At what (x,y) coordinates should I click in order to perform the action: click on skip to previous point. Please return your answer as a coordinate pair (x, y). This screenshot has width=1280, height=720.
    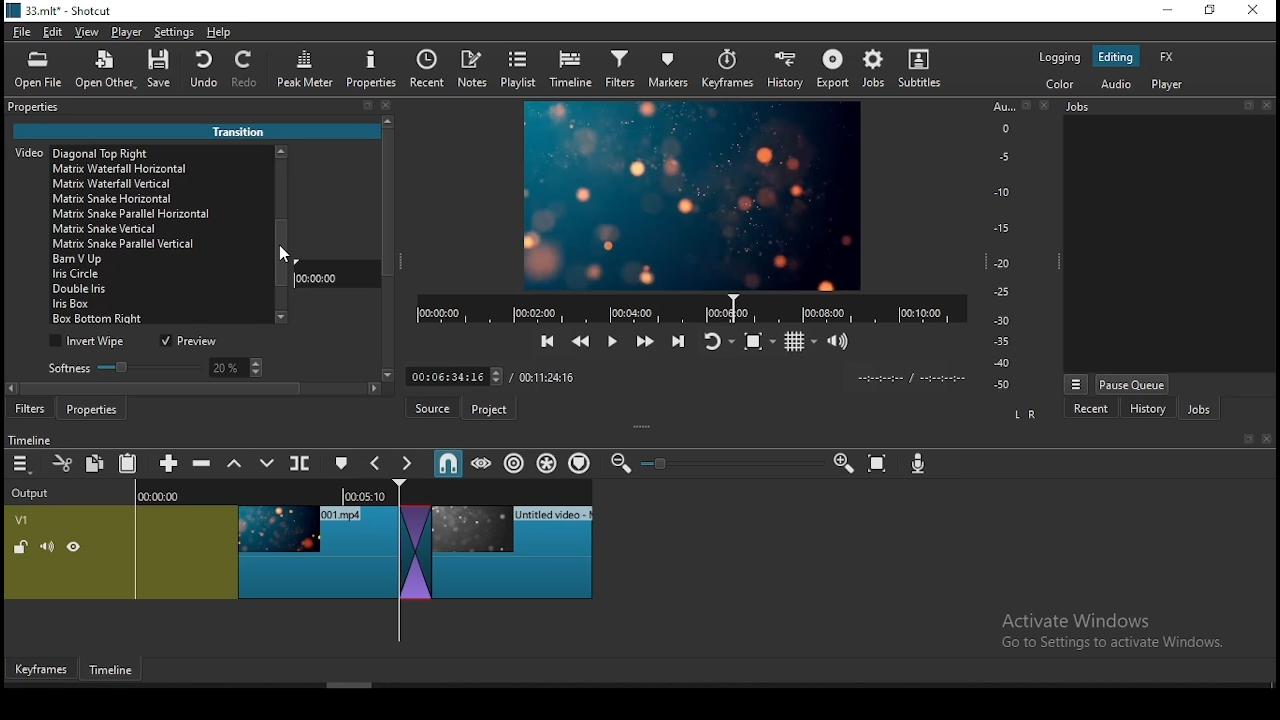
    Looking at the image, I should click on (545, 342).